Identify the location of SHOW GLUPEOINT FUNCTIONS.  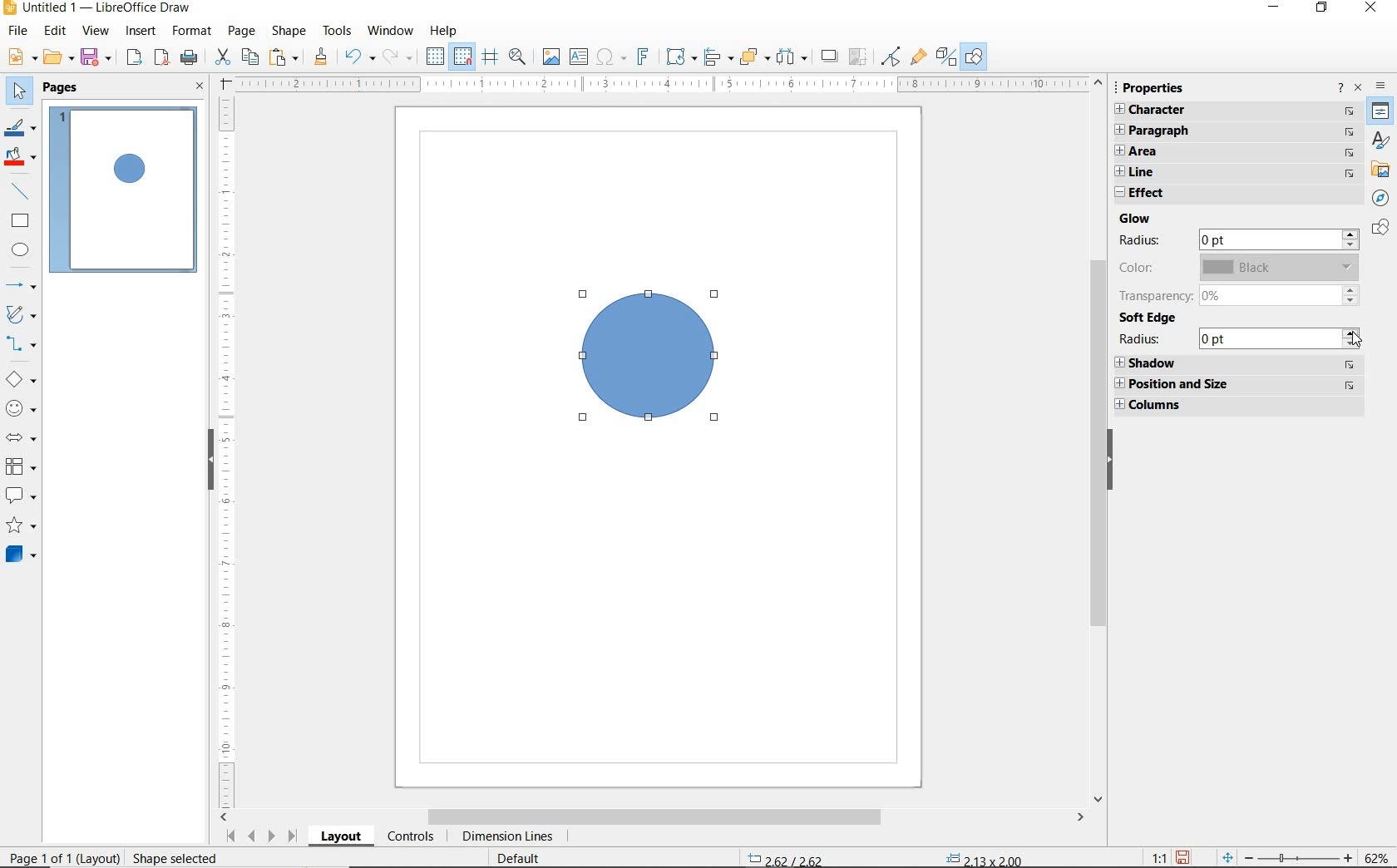
(919, 59).